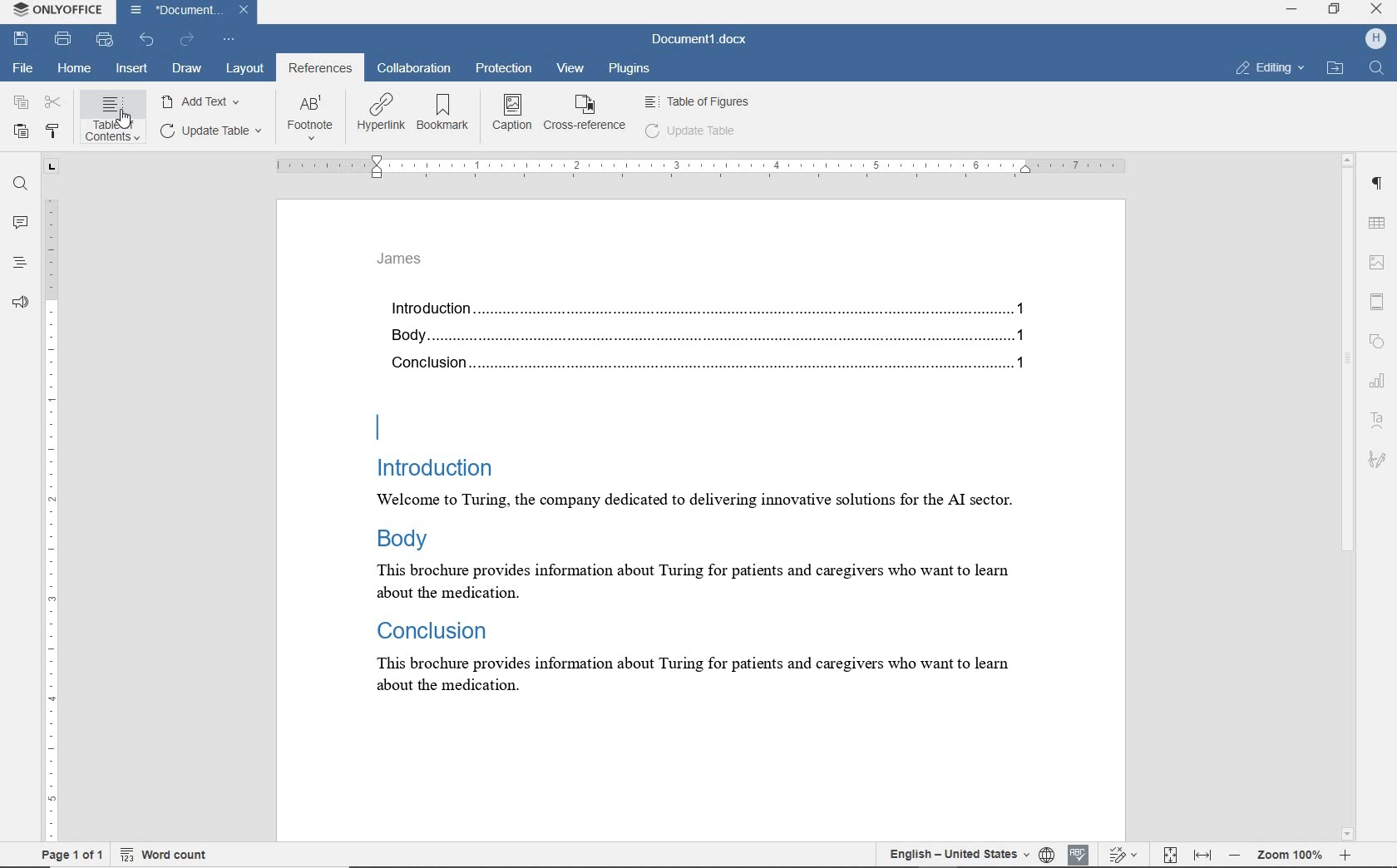 The width and height of the screenshot is (1397, 868). Describe the element at coordinates (148, 40) in the screenshot. I see `undo` at that location.